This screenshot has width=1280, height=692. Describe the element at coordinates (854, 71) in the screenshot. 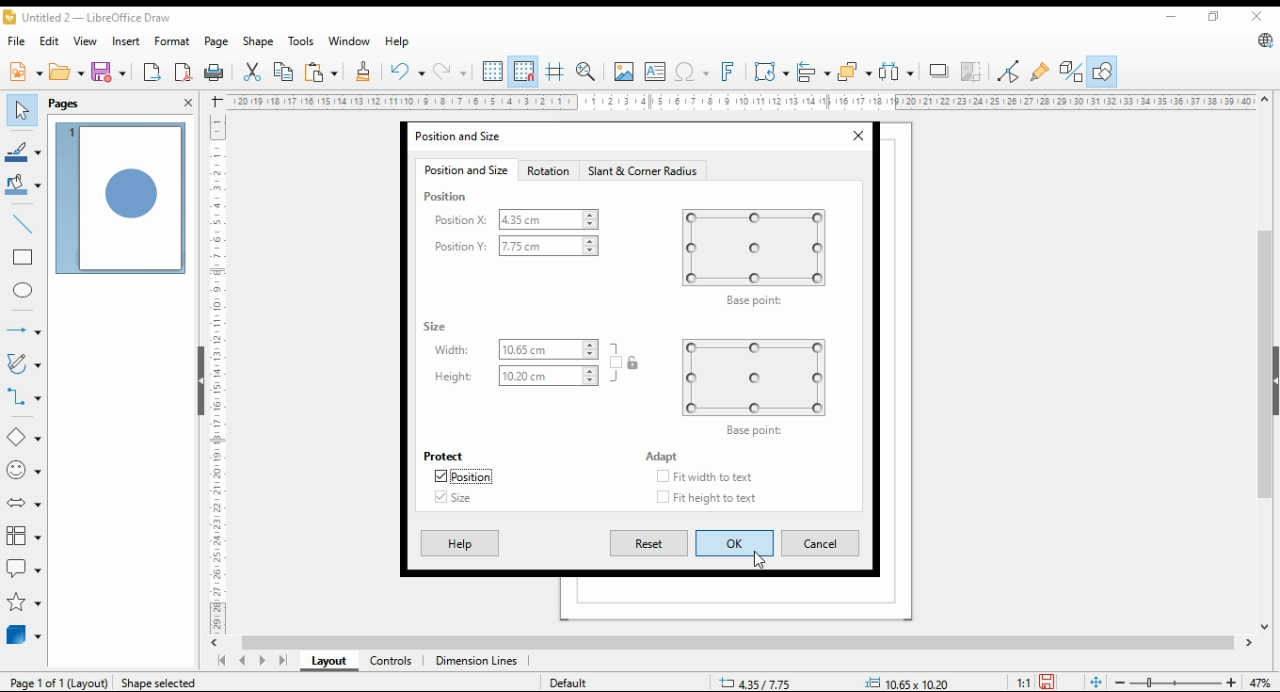

I see `arrange` at that location.